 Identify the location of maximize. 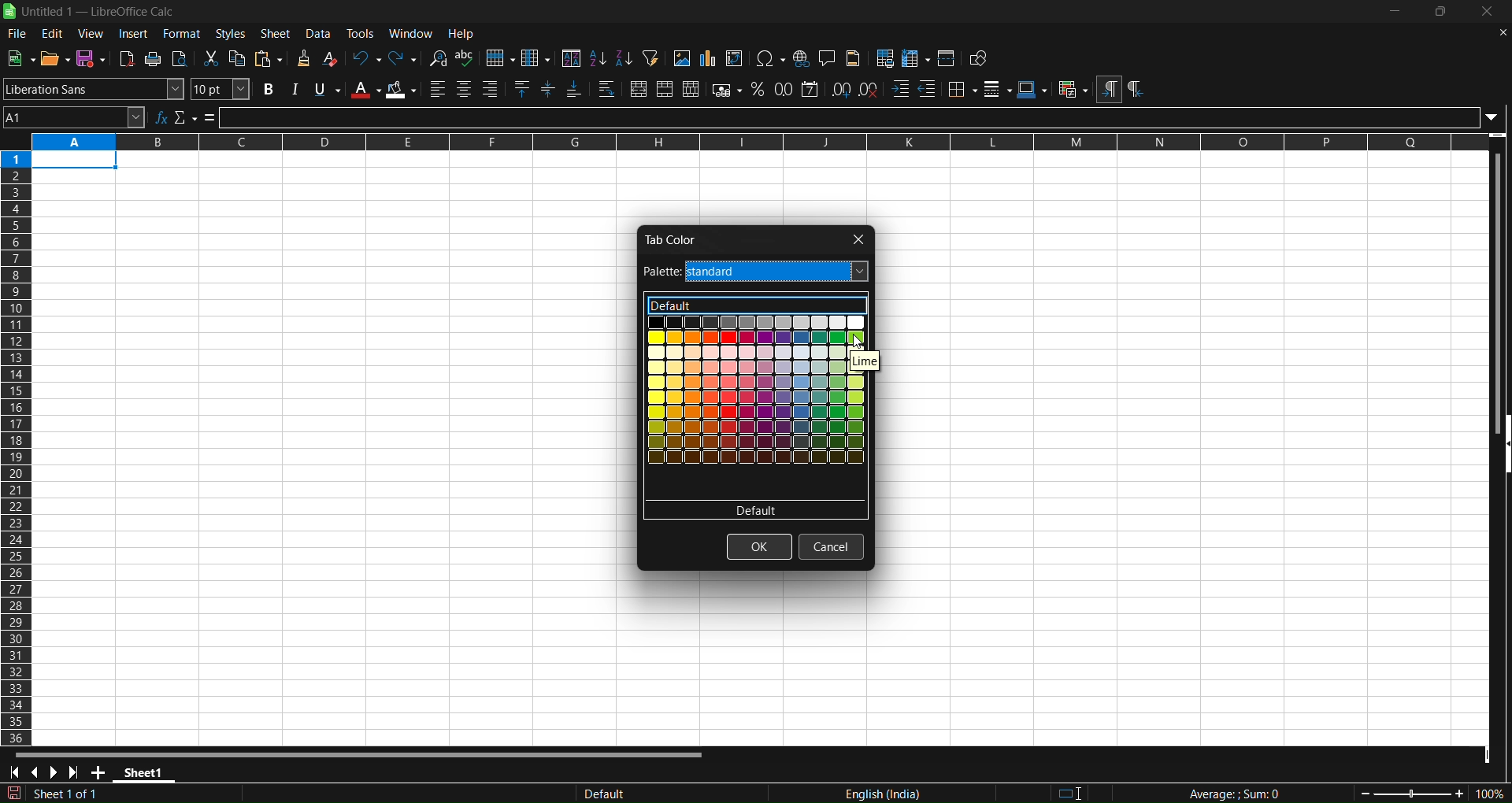
(1444, 13).